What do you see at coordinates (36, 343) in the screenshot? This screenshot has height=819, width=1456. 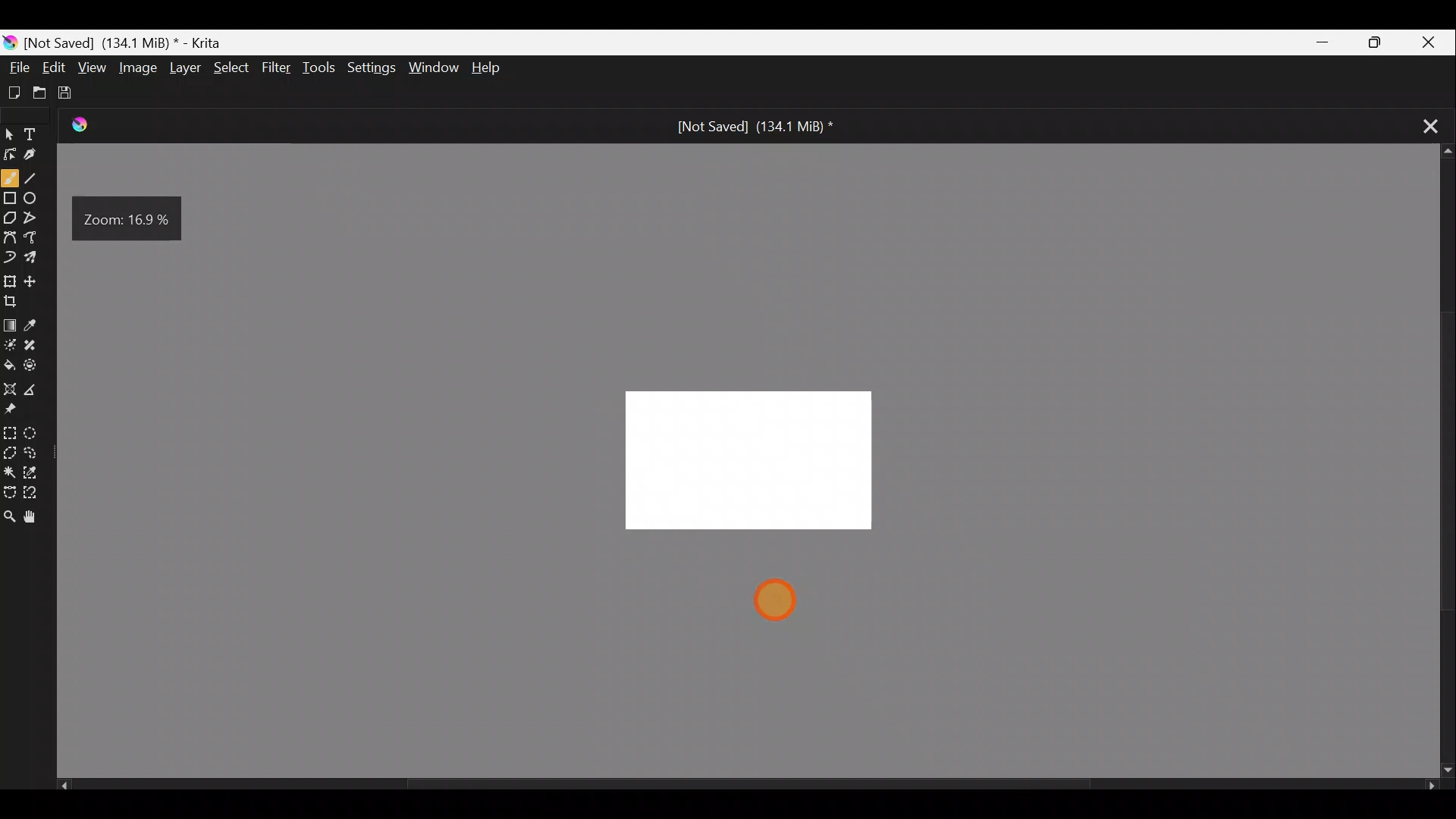 I see `Smart patch tool` at bounding box center [36, 343].